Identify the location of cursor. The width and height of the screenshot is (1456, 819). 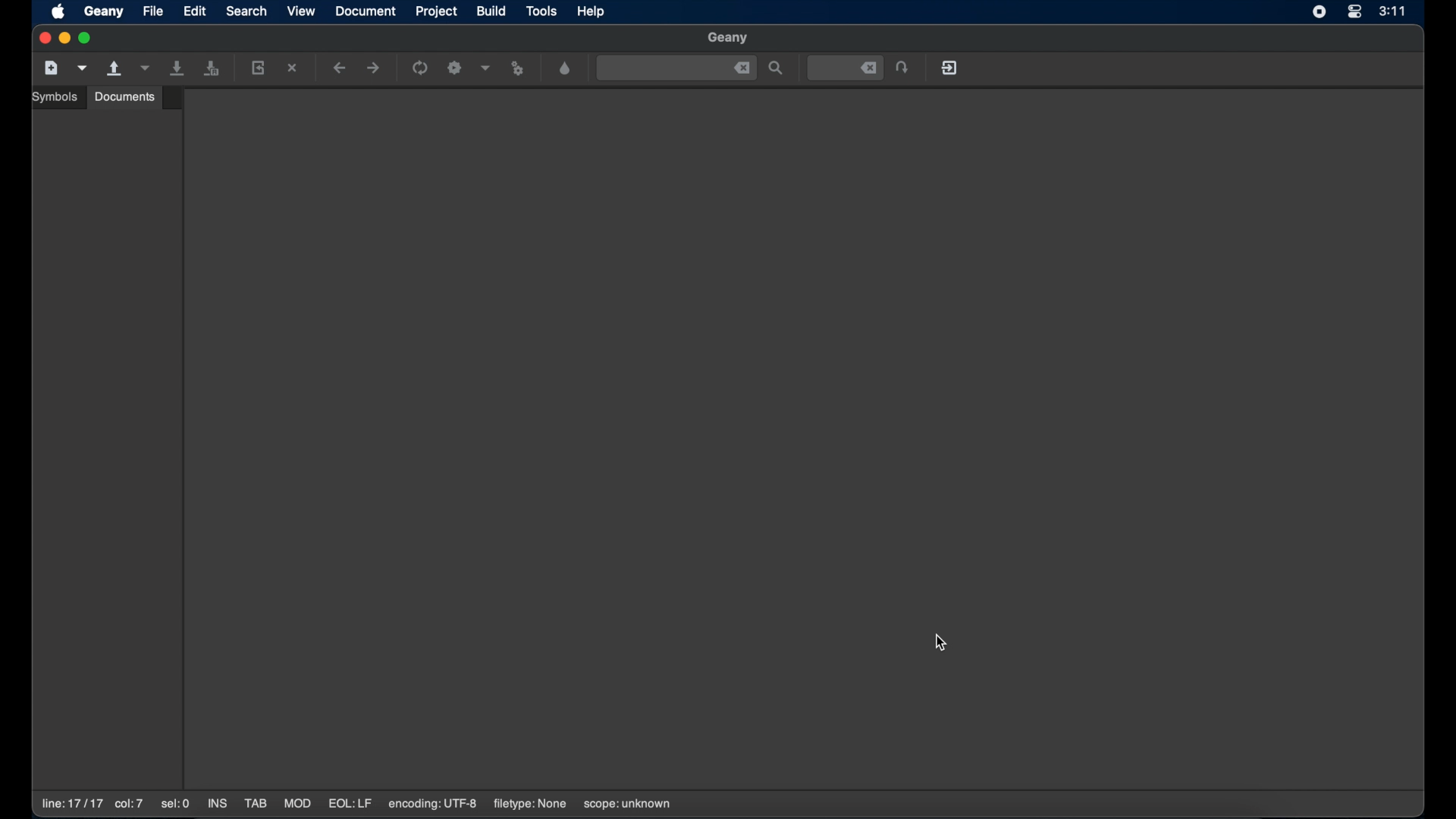
(943, 643).